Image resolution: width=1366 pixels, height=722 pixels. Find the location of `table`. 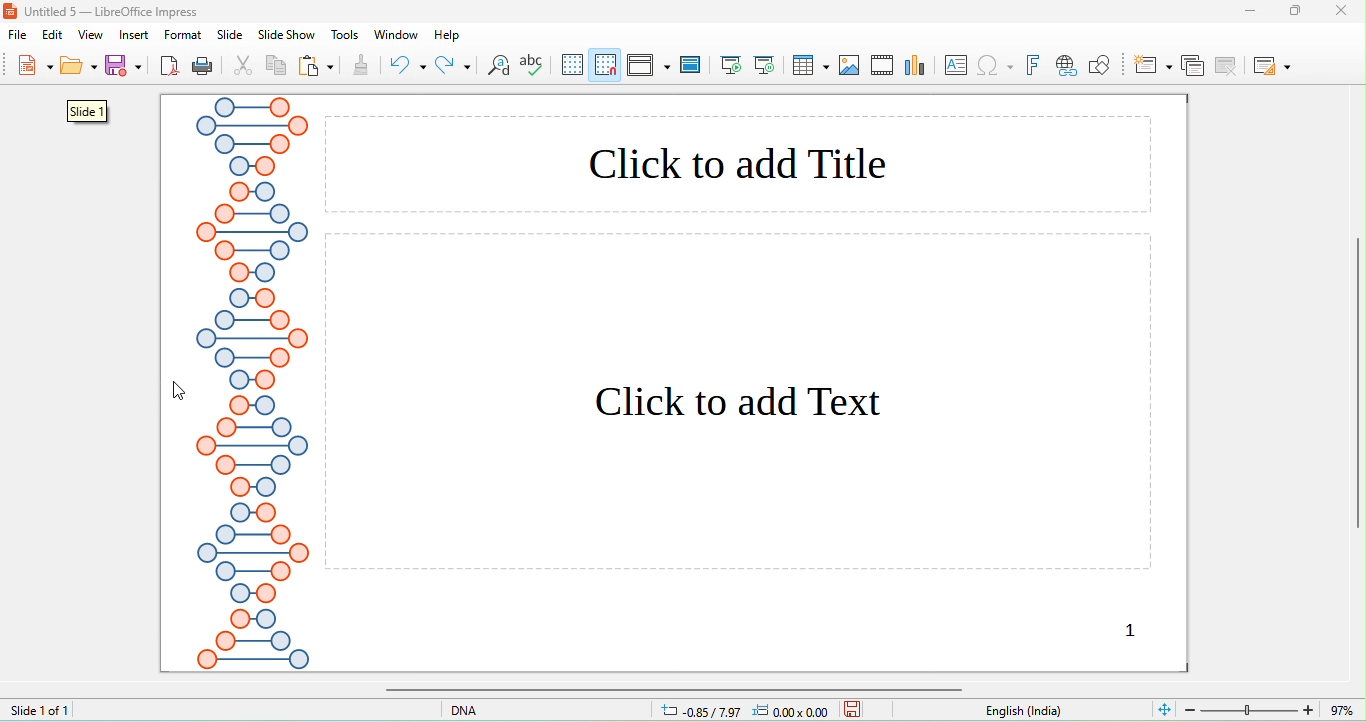

table is located at coordinates (810, 65).